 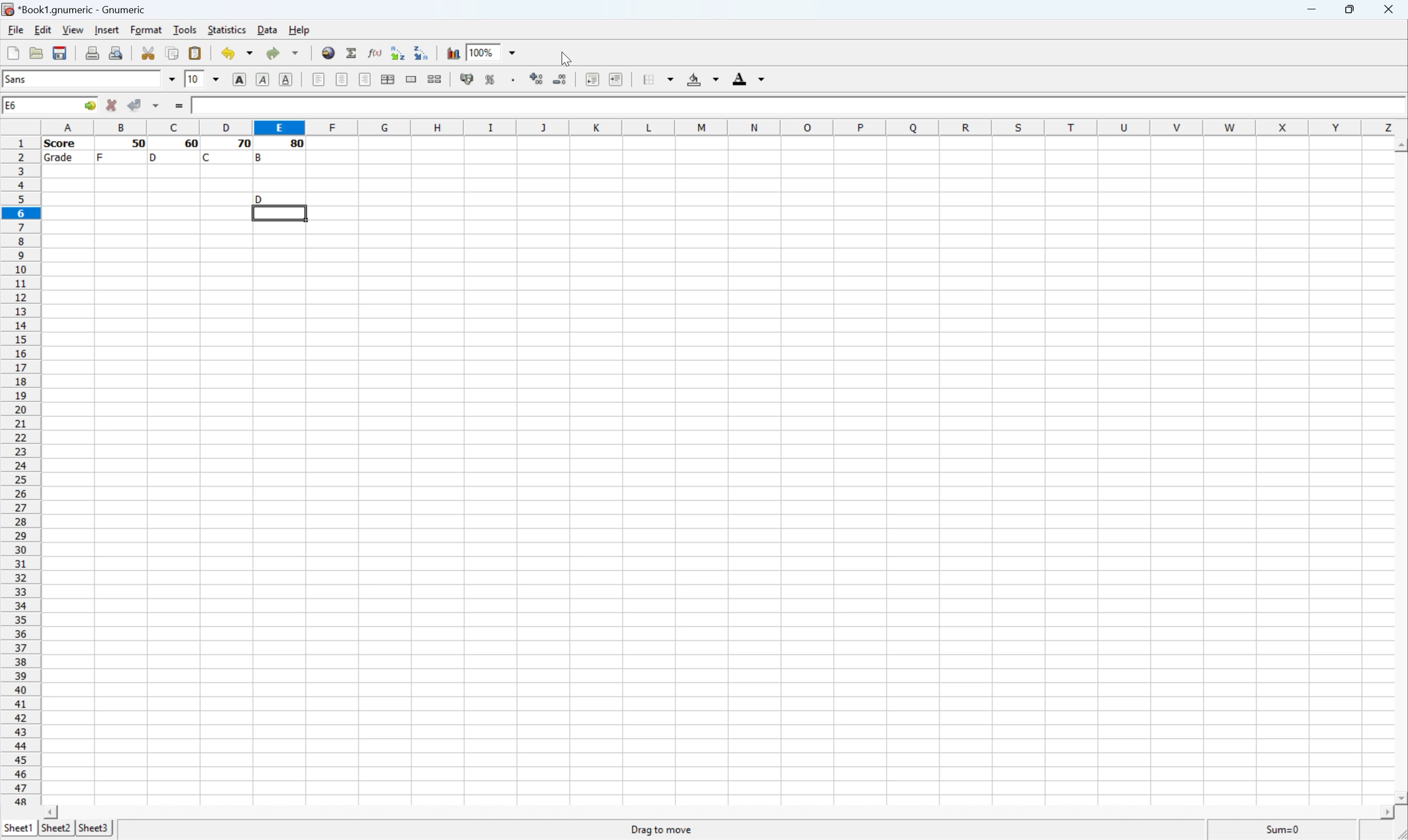 What do you see at coordinates (714, 513) in the screenshot?
I see `cells` at bounding box center [714, 513].